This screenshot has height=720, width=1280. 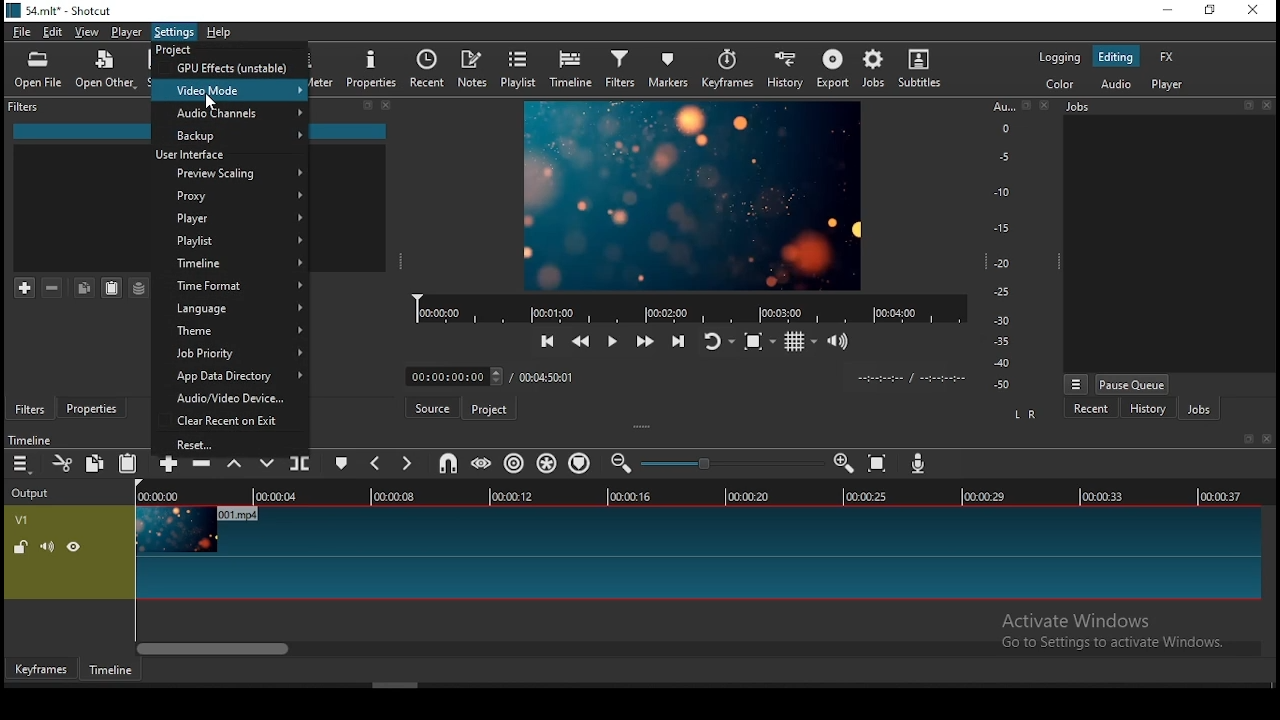 I want to click on record audio, so click(x=919, y=463).